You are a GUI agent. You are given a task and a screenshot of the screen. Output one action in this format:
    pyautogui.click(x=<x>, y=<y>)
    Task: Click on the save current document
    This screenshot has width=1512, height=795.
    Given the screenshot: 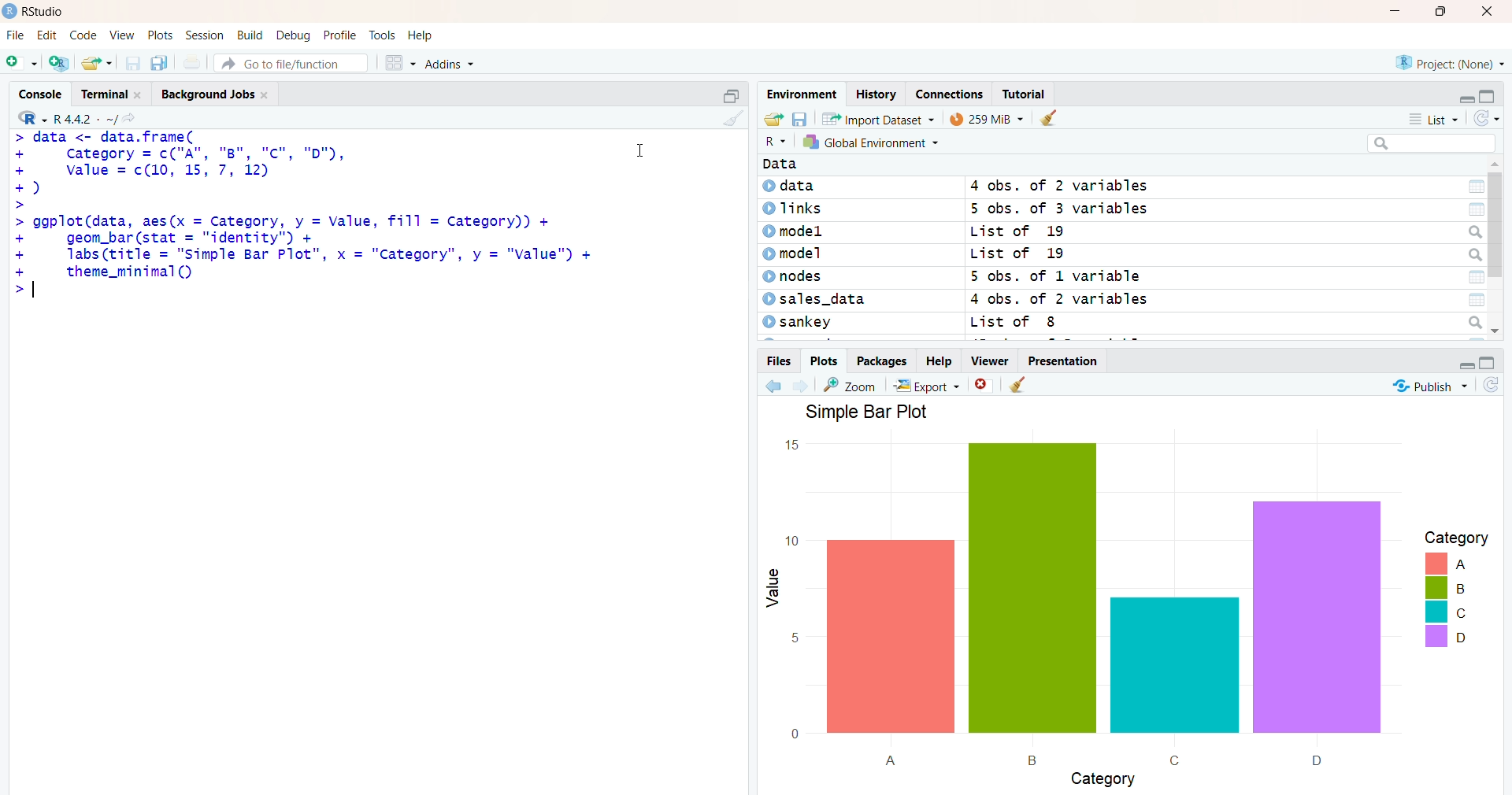 What is the action you would take?
    pyautogui.click(x=132, y=63)
    